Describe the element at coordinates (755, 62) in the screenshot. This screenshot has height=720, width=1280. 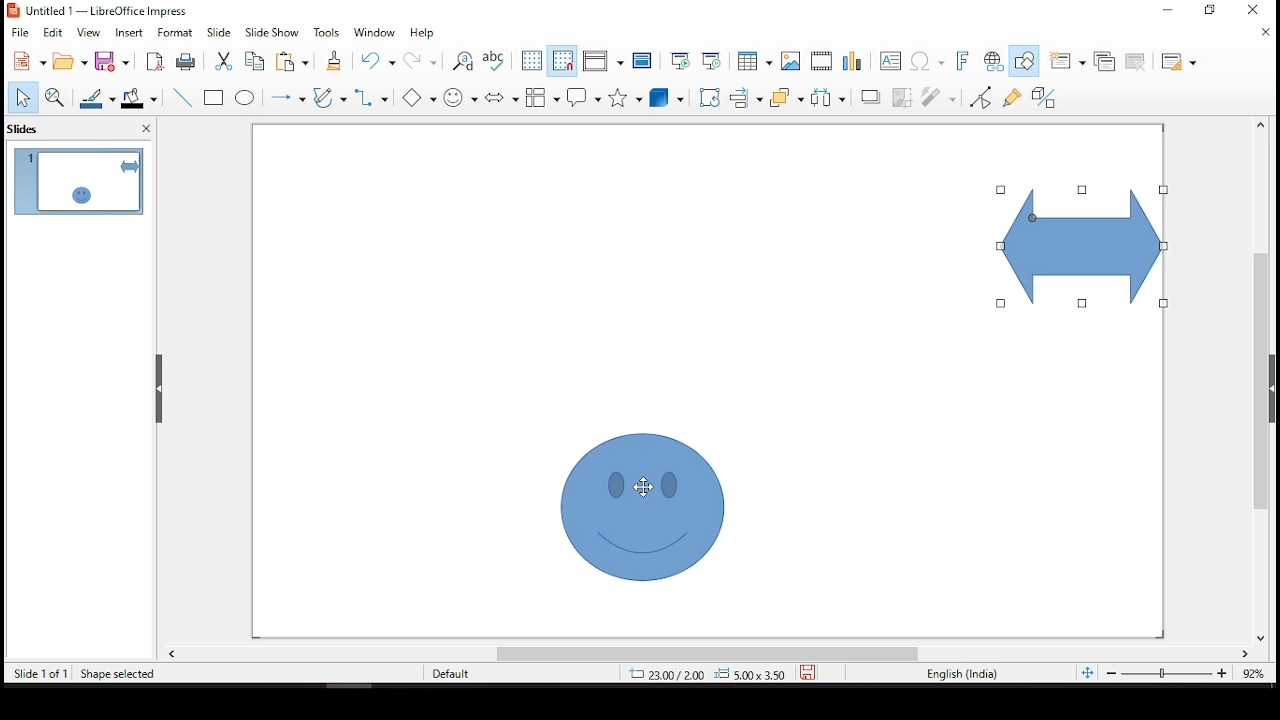
I see `table` at that location.